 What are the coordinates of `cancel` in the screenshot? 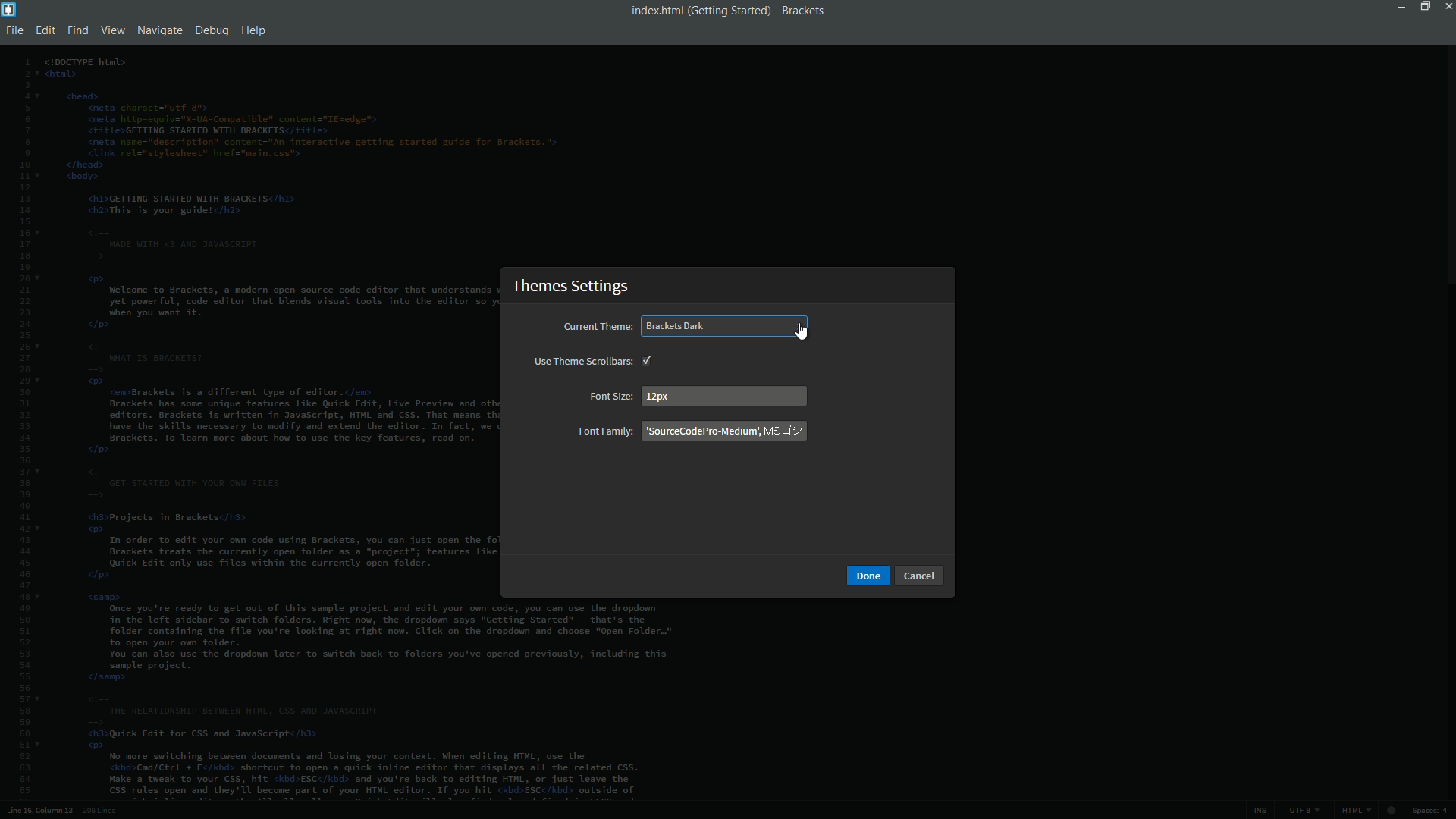 It's located at (919, 575).